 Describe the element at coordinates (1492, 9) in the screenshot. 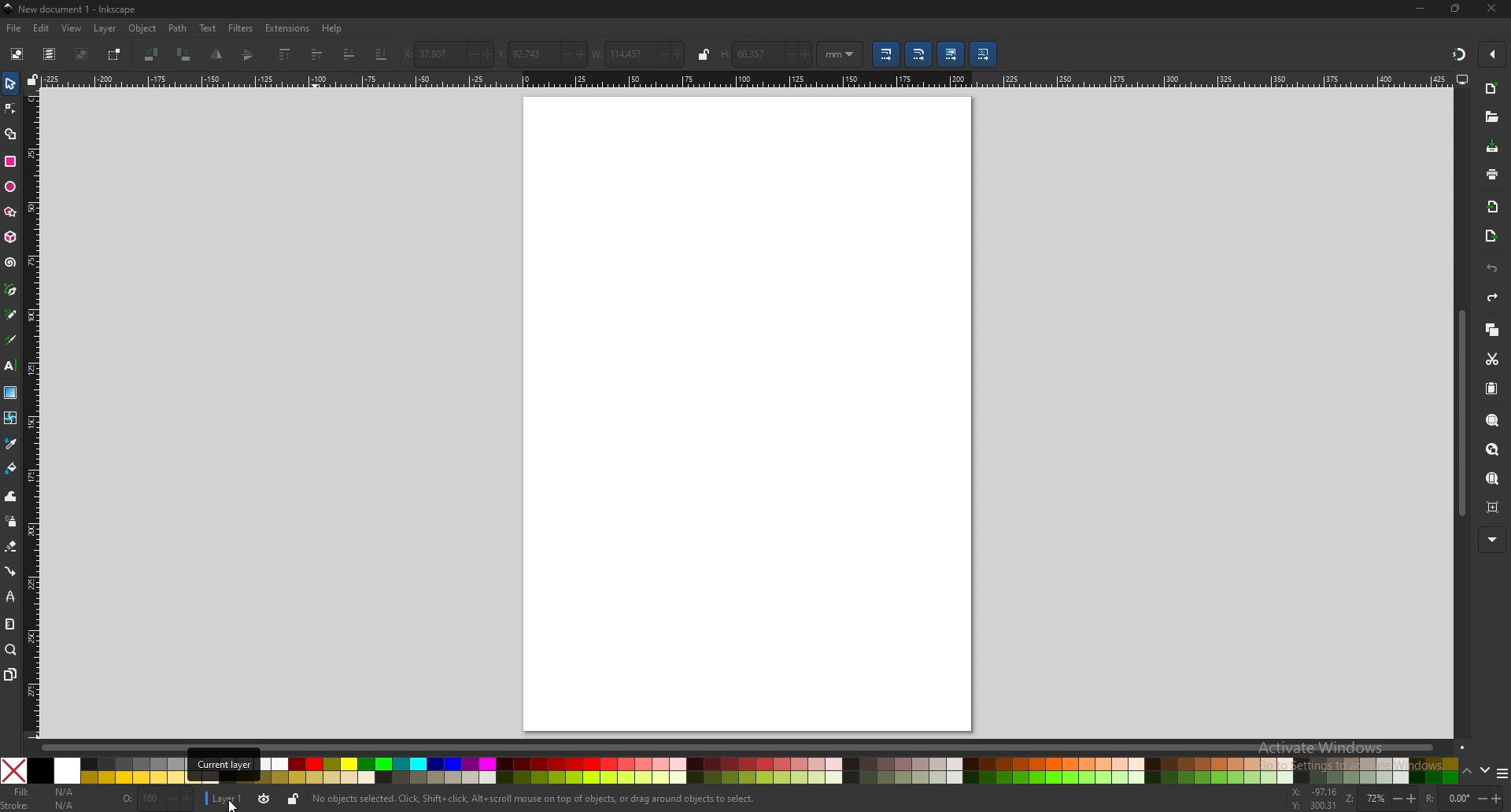

I see `close` at that location.